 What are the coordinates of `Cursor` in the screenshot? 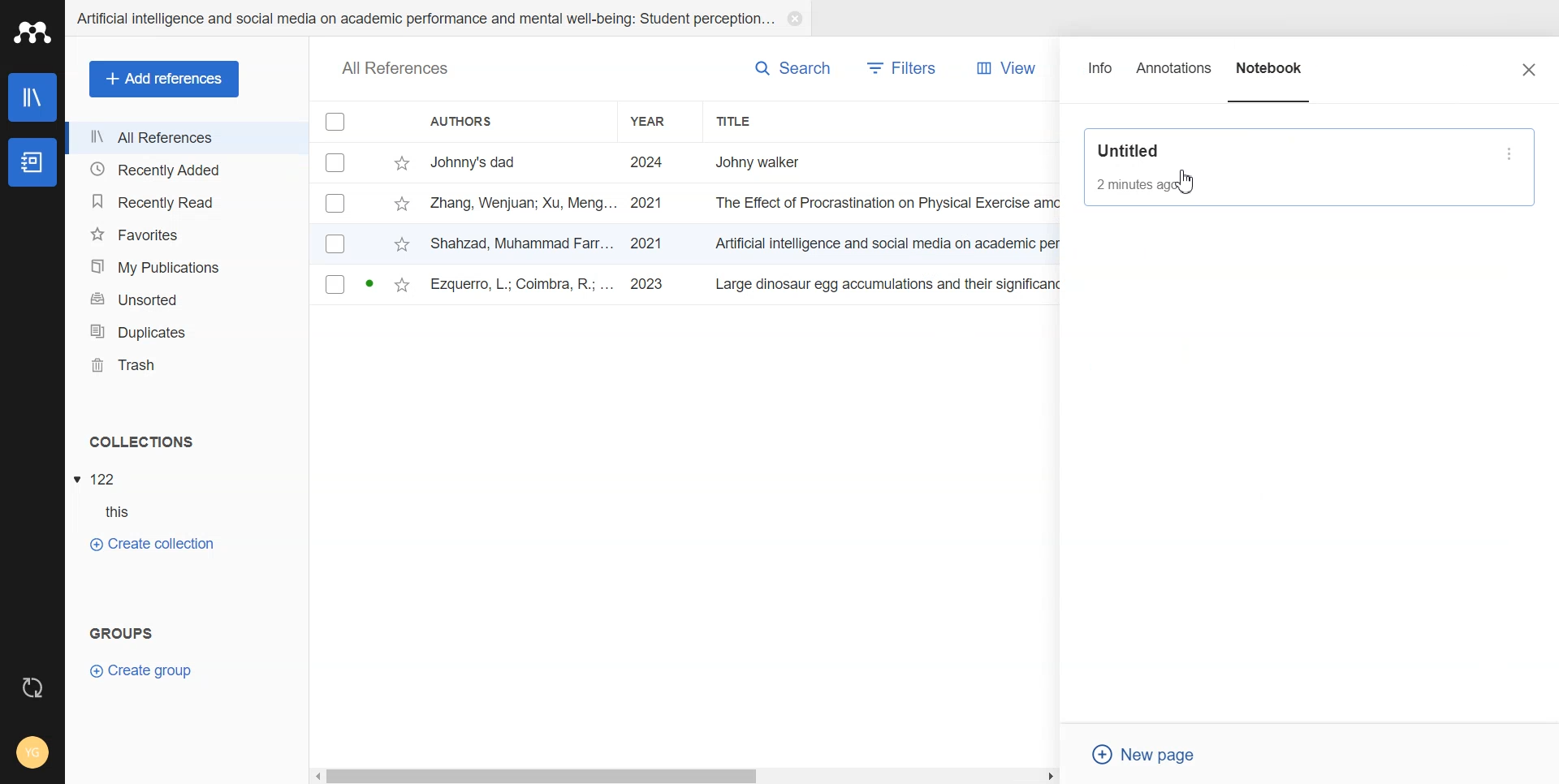 It's located at (1188, 180).